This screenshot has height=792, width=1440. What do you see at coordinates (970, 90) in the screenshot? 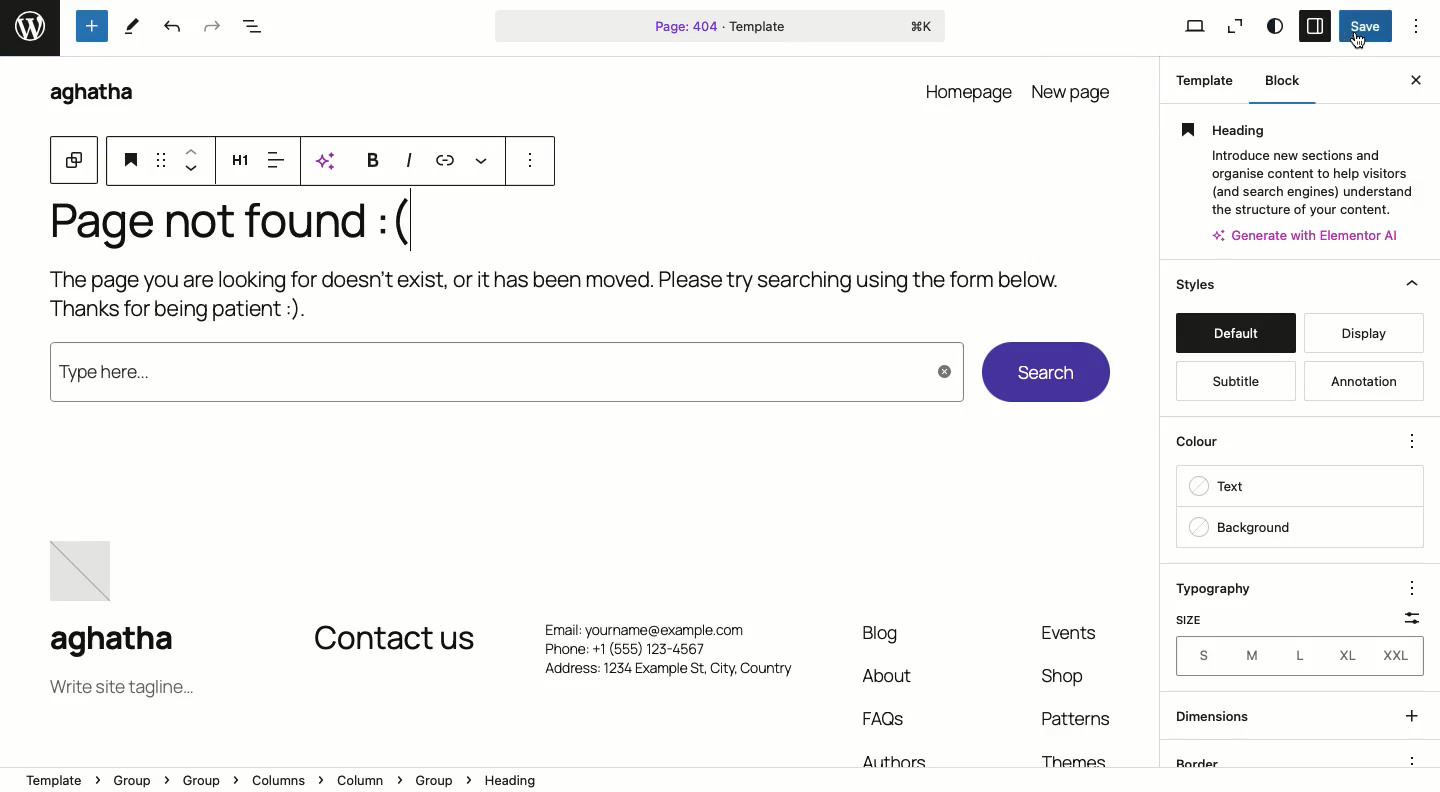
I see `homepage` at bounding box center [970, 90].